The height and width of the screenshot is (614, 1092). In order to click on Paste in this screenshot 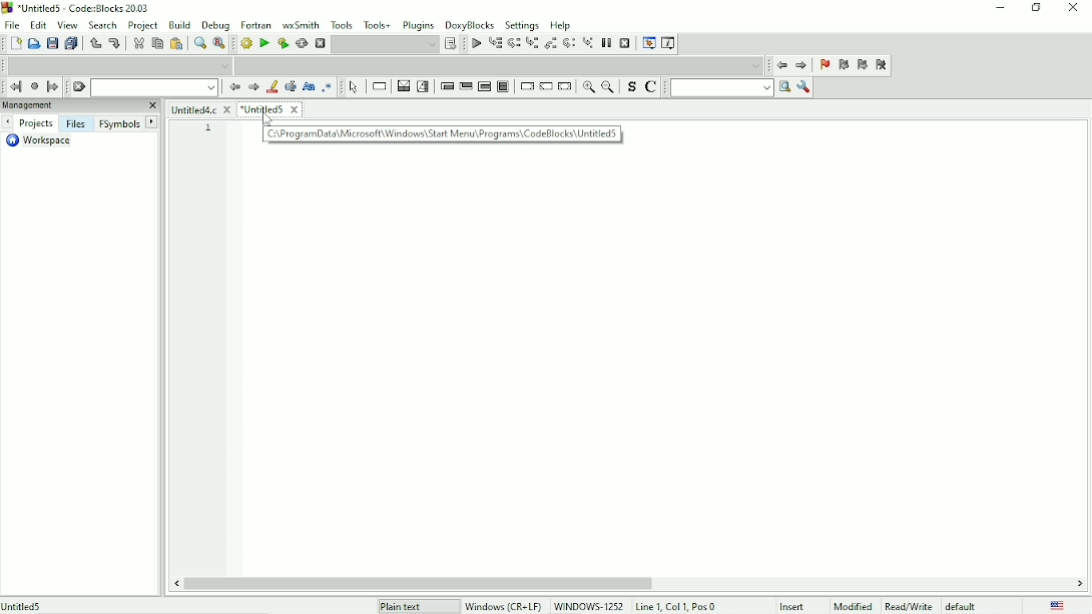, I will do `click(176, 43)`.